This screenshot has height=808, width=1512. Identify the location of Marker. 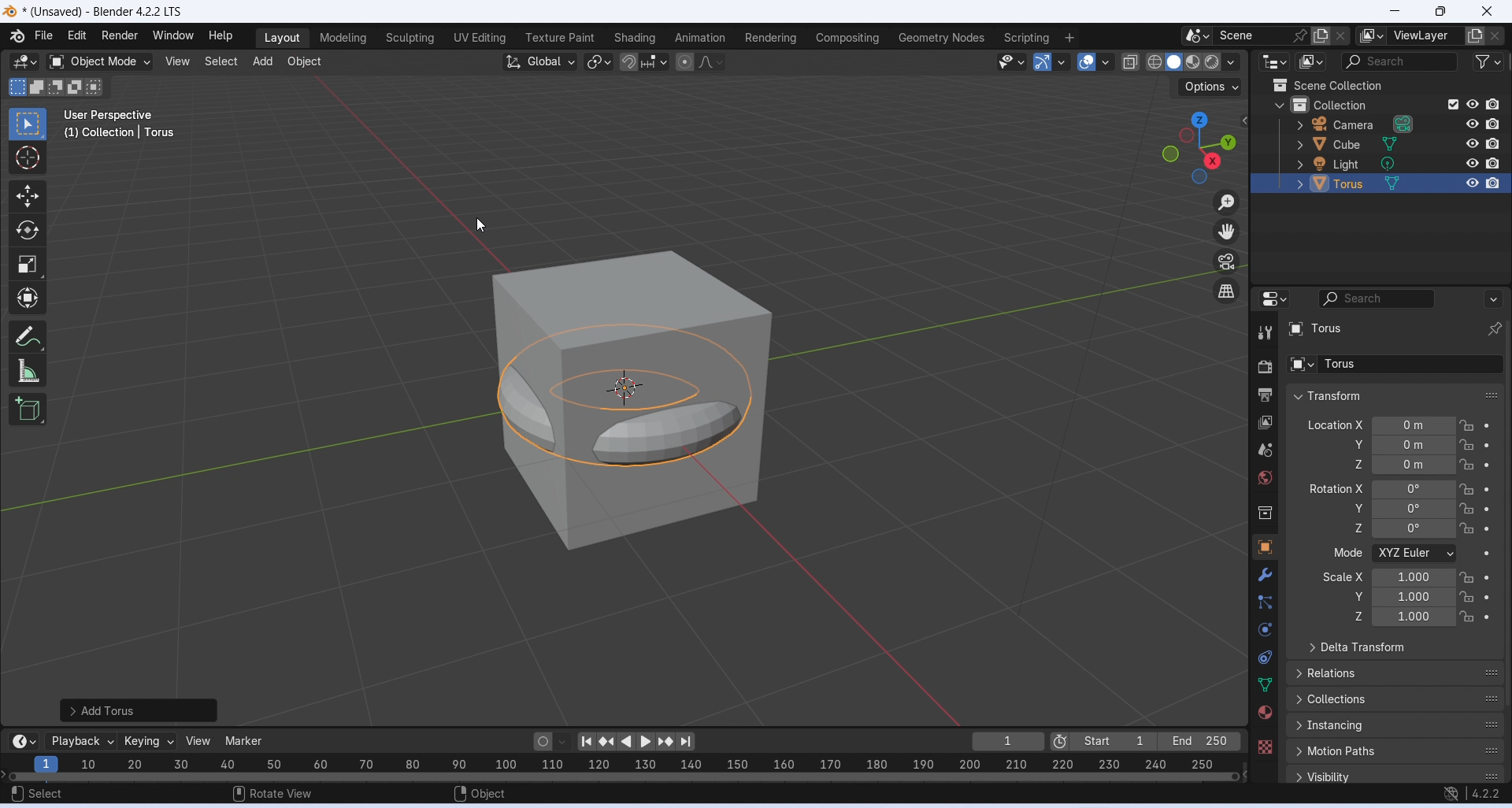
(244, 741).